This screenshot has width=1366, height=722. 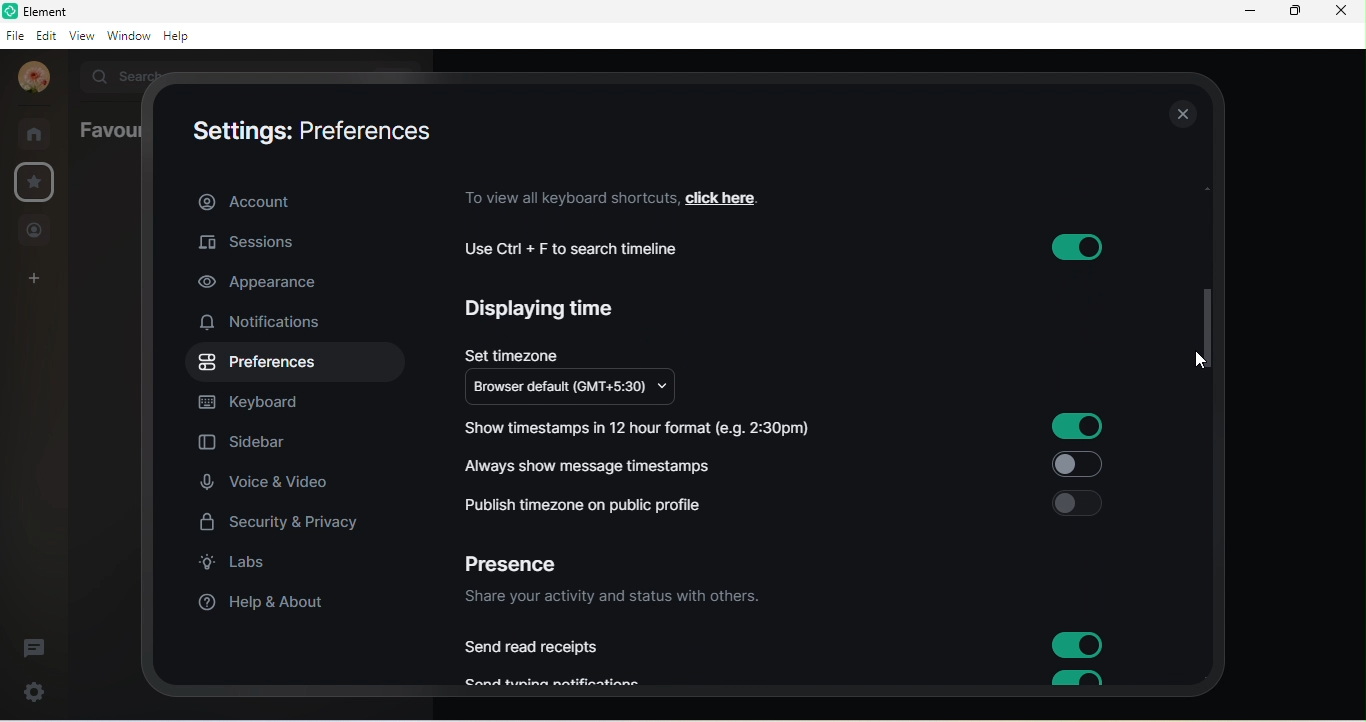 What do you see at coordinates (37, 230) in the screenshot?
I see `people` at bounding box center [37, 230].